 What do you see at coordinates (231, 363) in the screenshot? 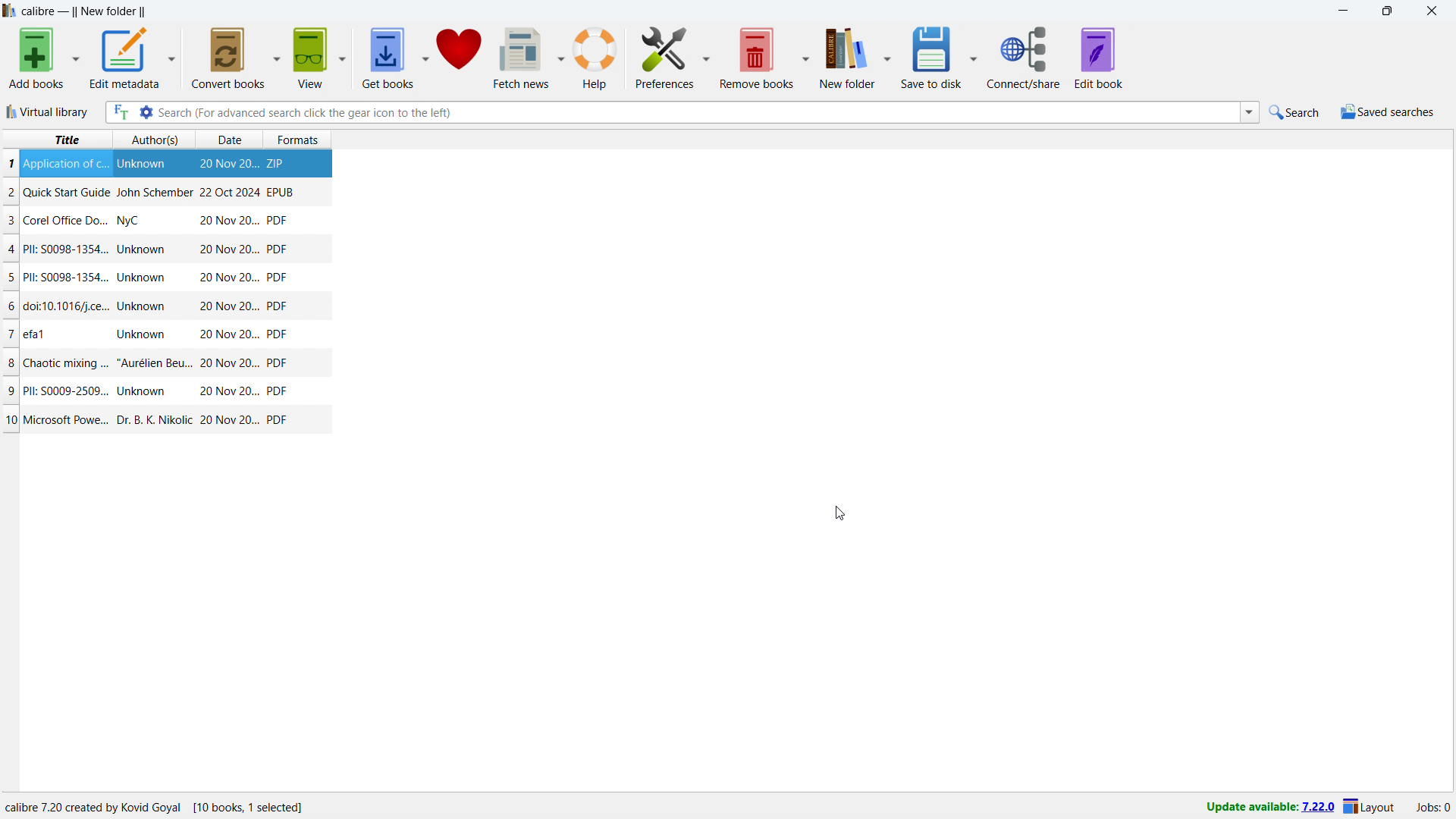
I see `Date` at bounding box center [231, 363].